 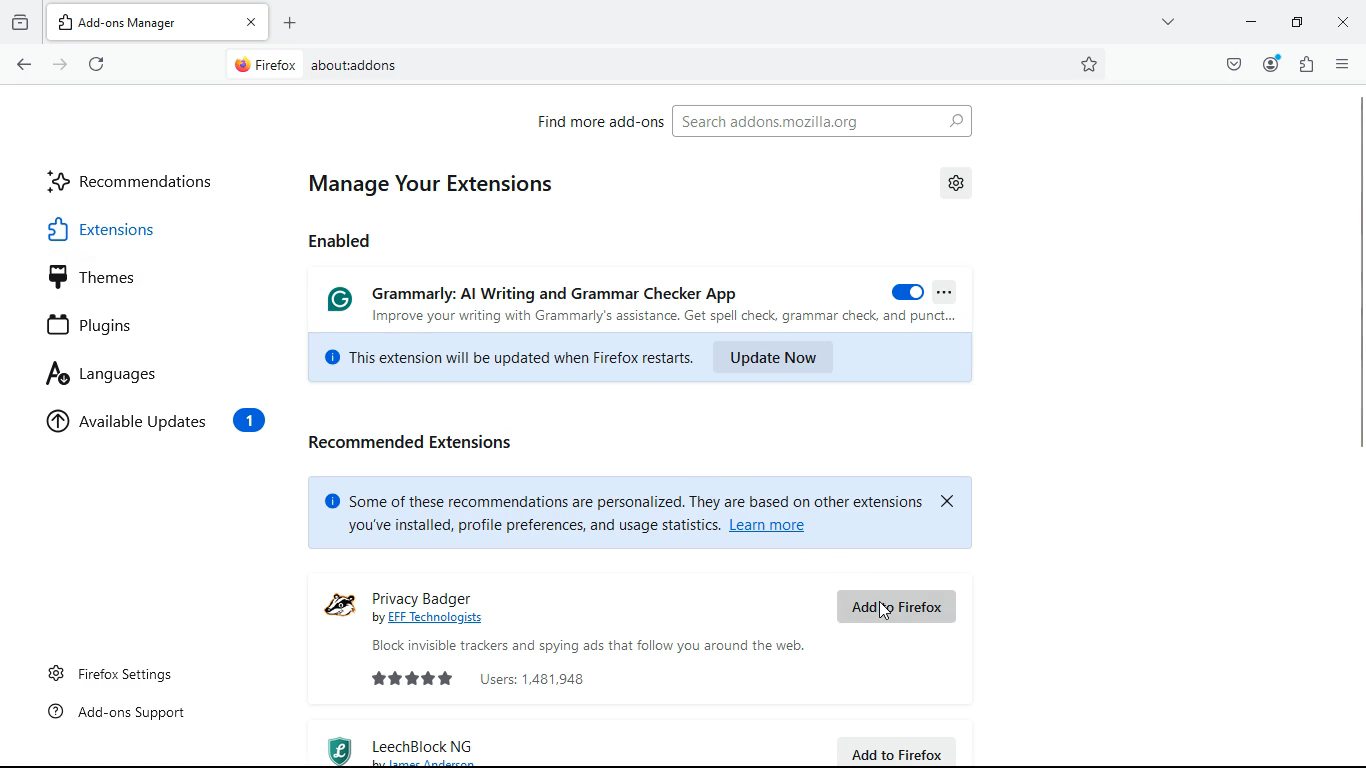 What do you see at coordinates (290, 23) in the screenshot?
I see `open new tab` at bounding box center [290, 23].